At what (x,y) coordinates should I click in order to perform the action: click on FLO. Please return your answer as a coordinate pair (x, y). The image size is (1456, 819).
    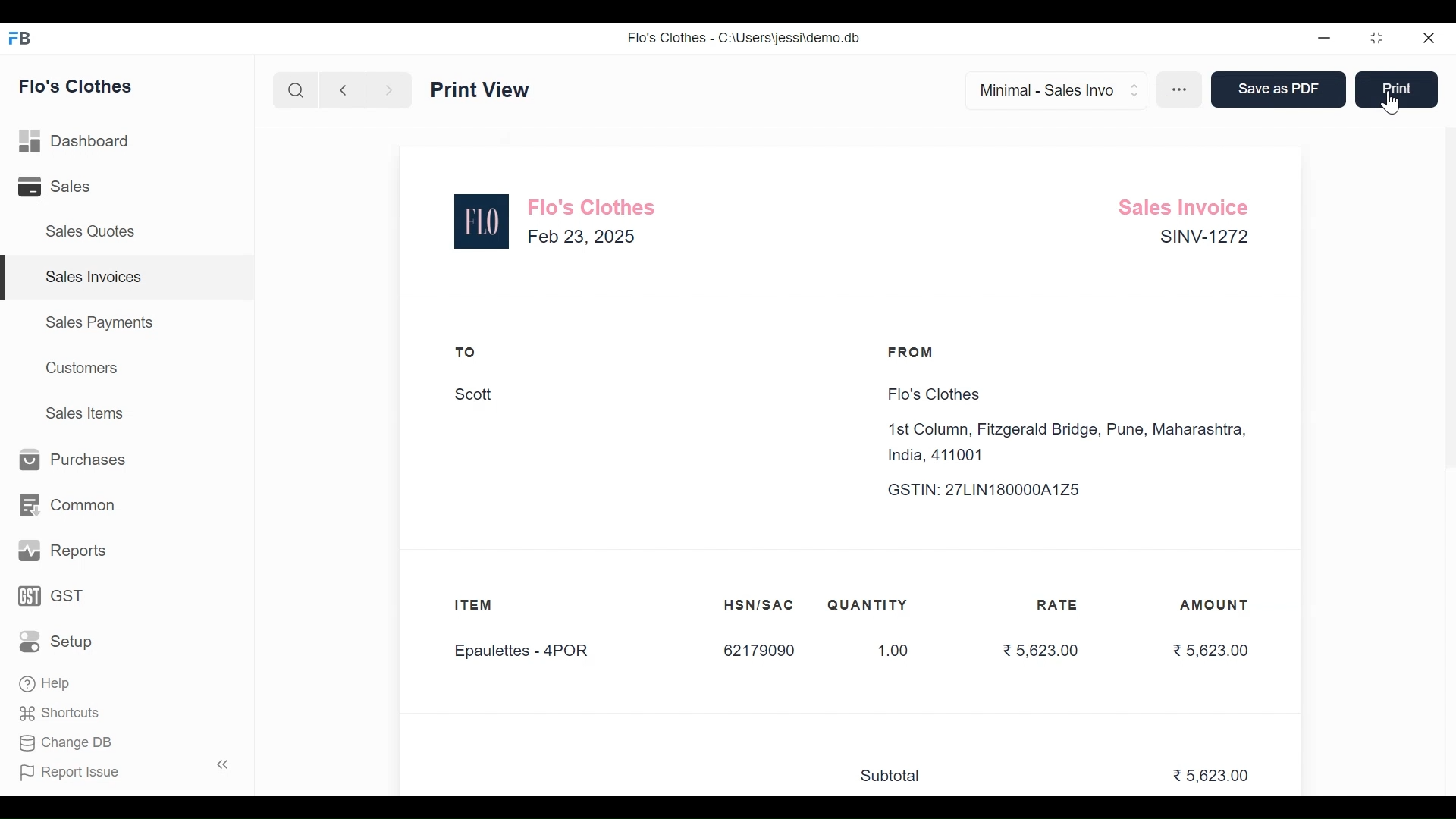
    Looking at the image, I should click on (482, 221).